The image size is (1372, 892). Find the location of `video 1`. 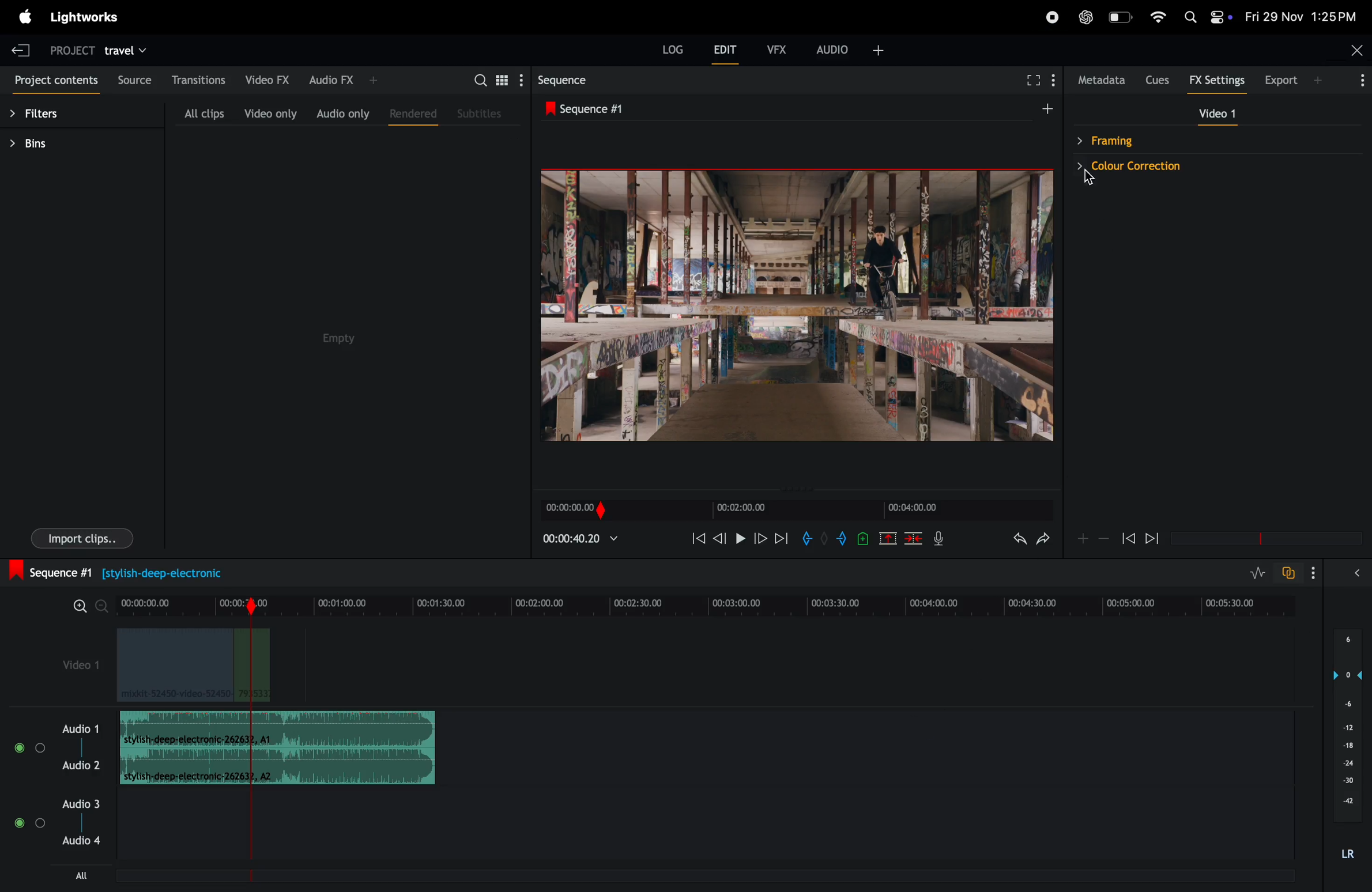

video 1 is located at coordinates (1213, 113).